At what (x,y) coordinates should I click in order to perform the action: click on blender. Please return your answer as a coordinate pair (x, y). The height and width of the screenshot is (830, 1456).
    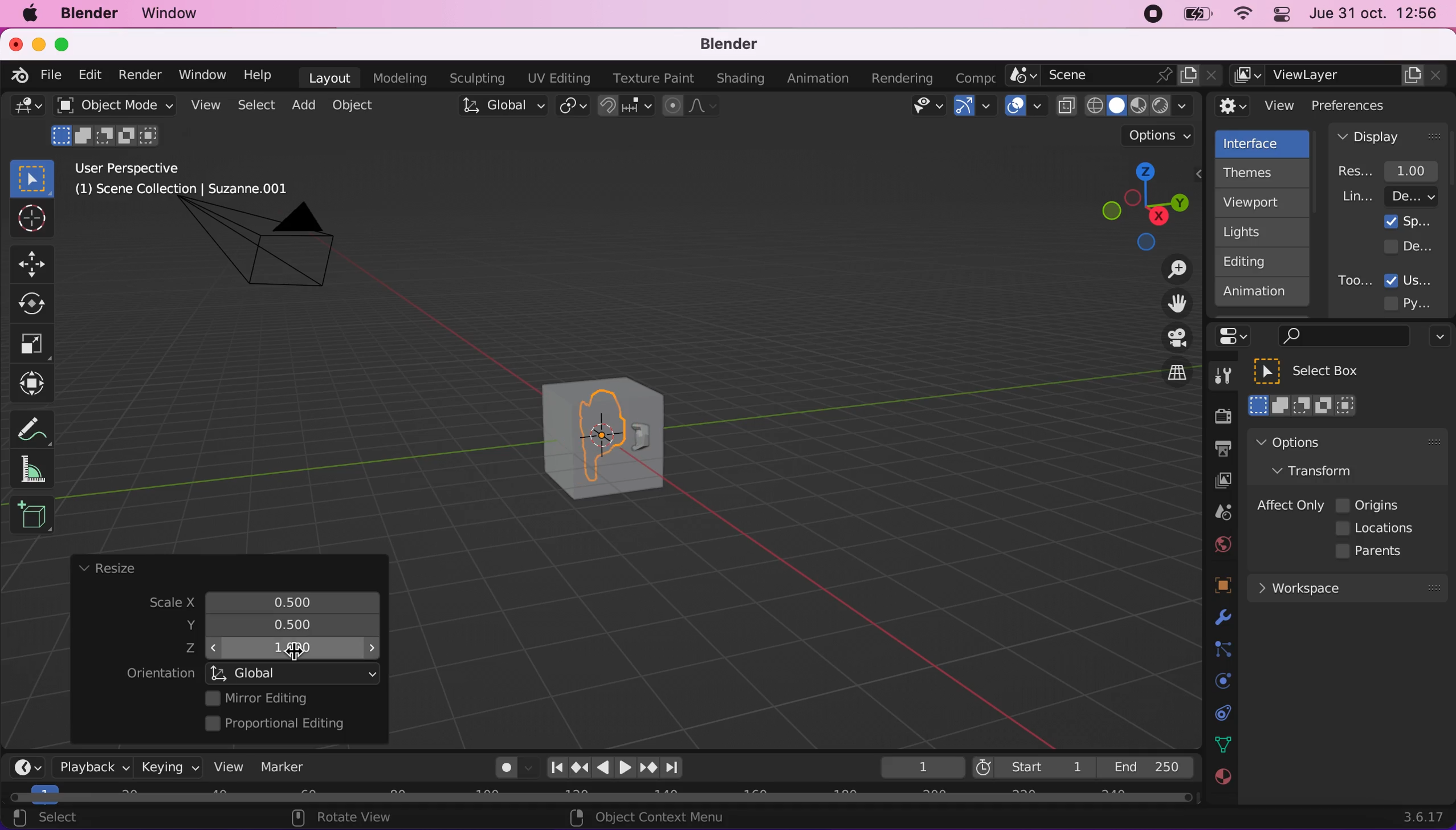
    Looking at the image, I should click on (15, 74).